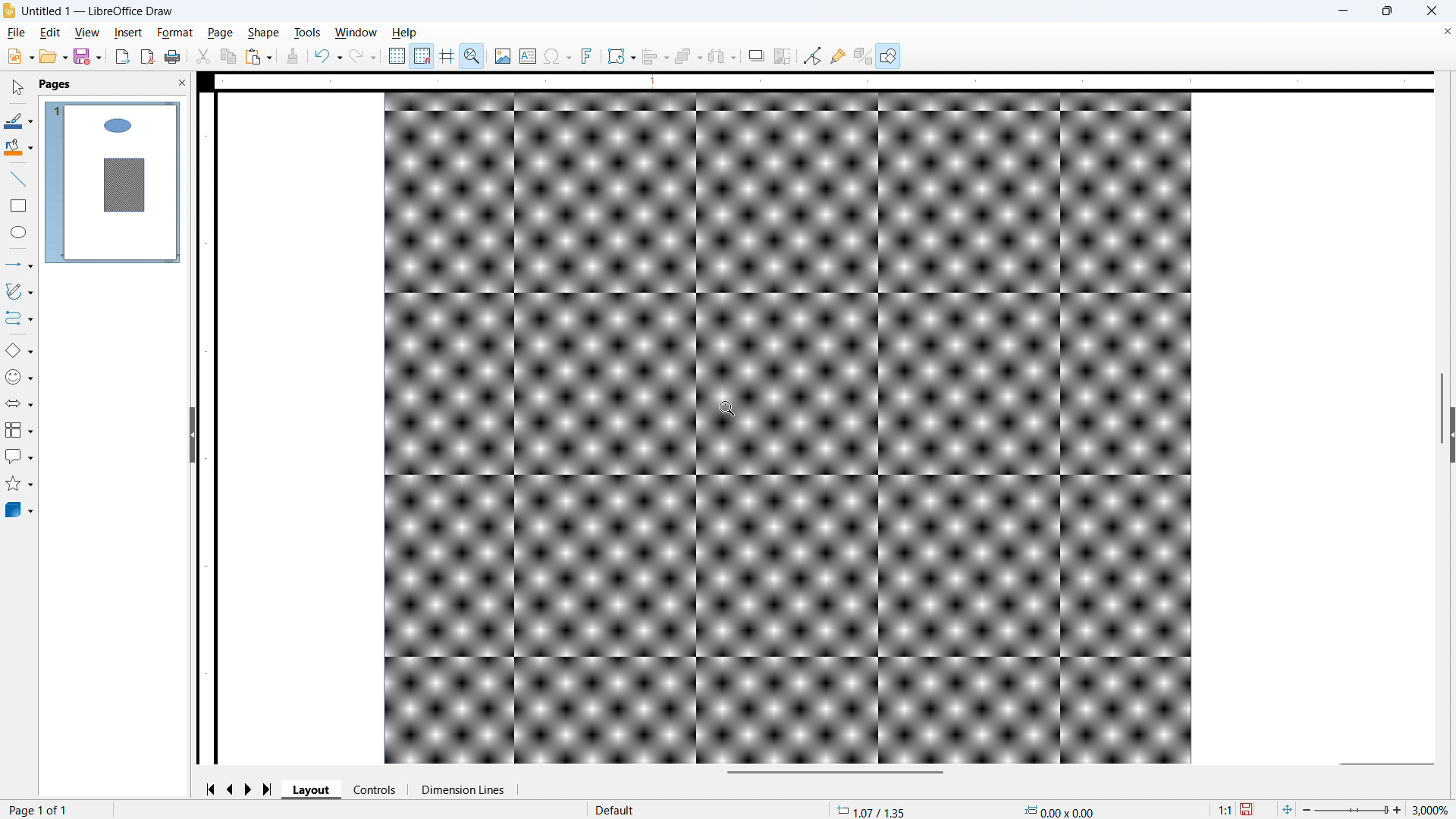 The height and width of the screenshot is (819, 1456). Describe the element at coordinates (1354, 811) in the screenshot. I see `Zoom slider ` at that location.